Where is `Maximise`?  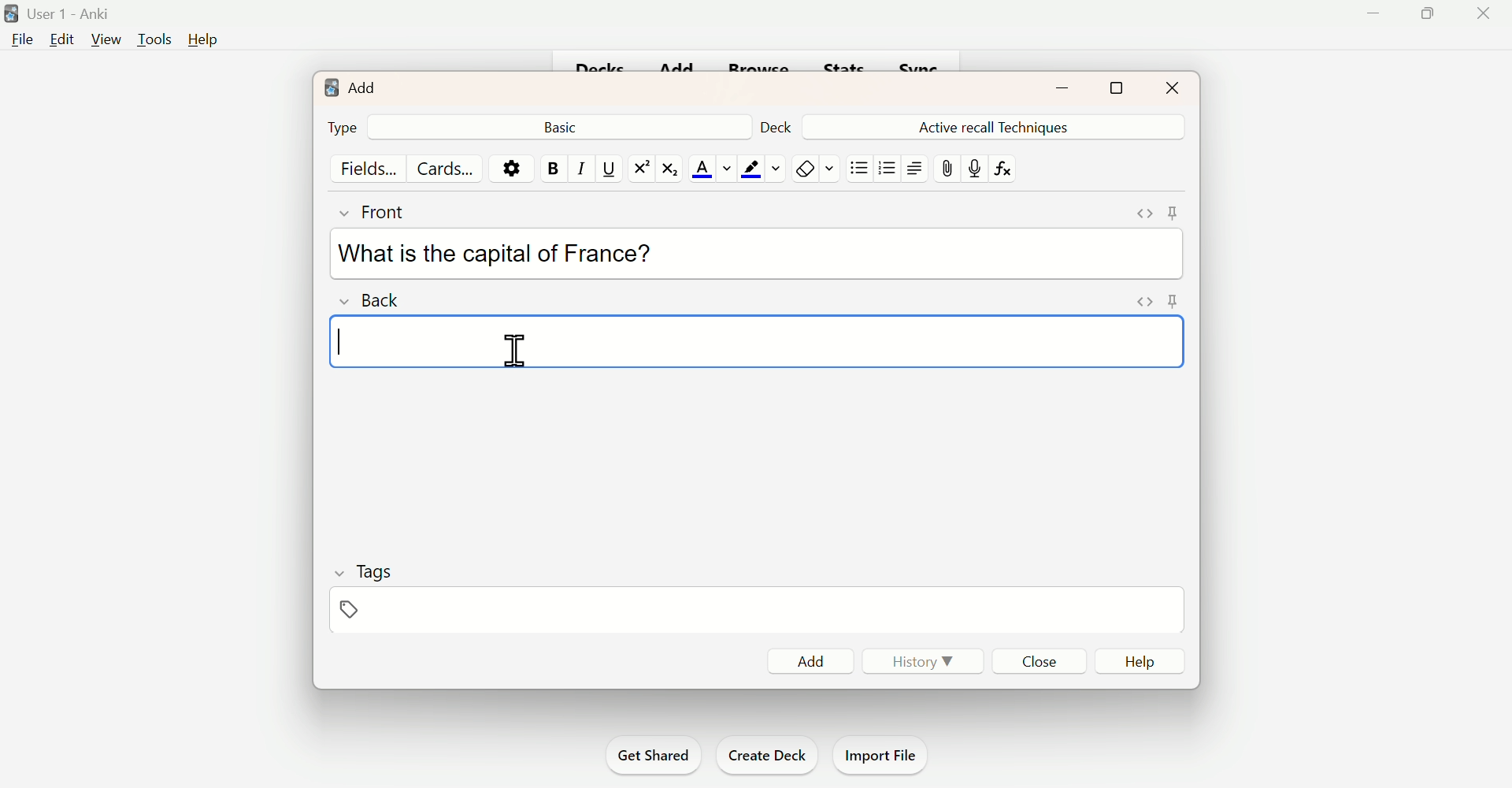 Maximise is located at coordinates (1126, 87).